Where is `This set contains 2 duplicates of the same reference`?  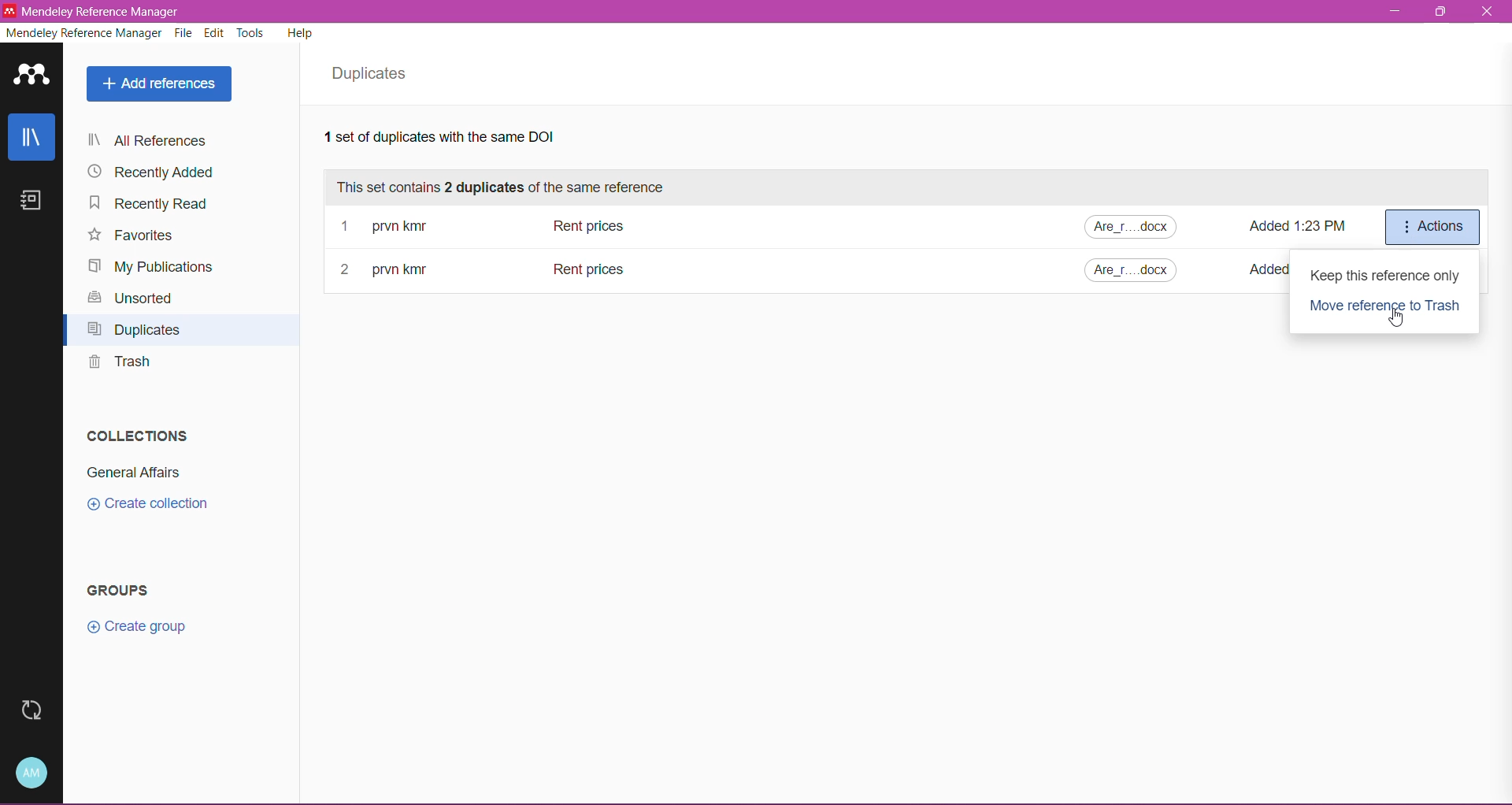
This set contains 2 duplicates of the same reference is located at coordinates (509, 187).